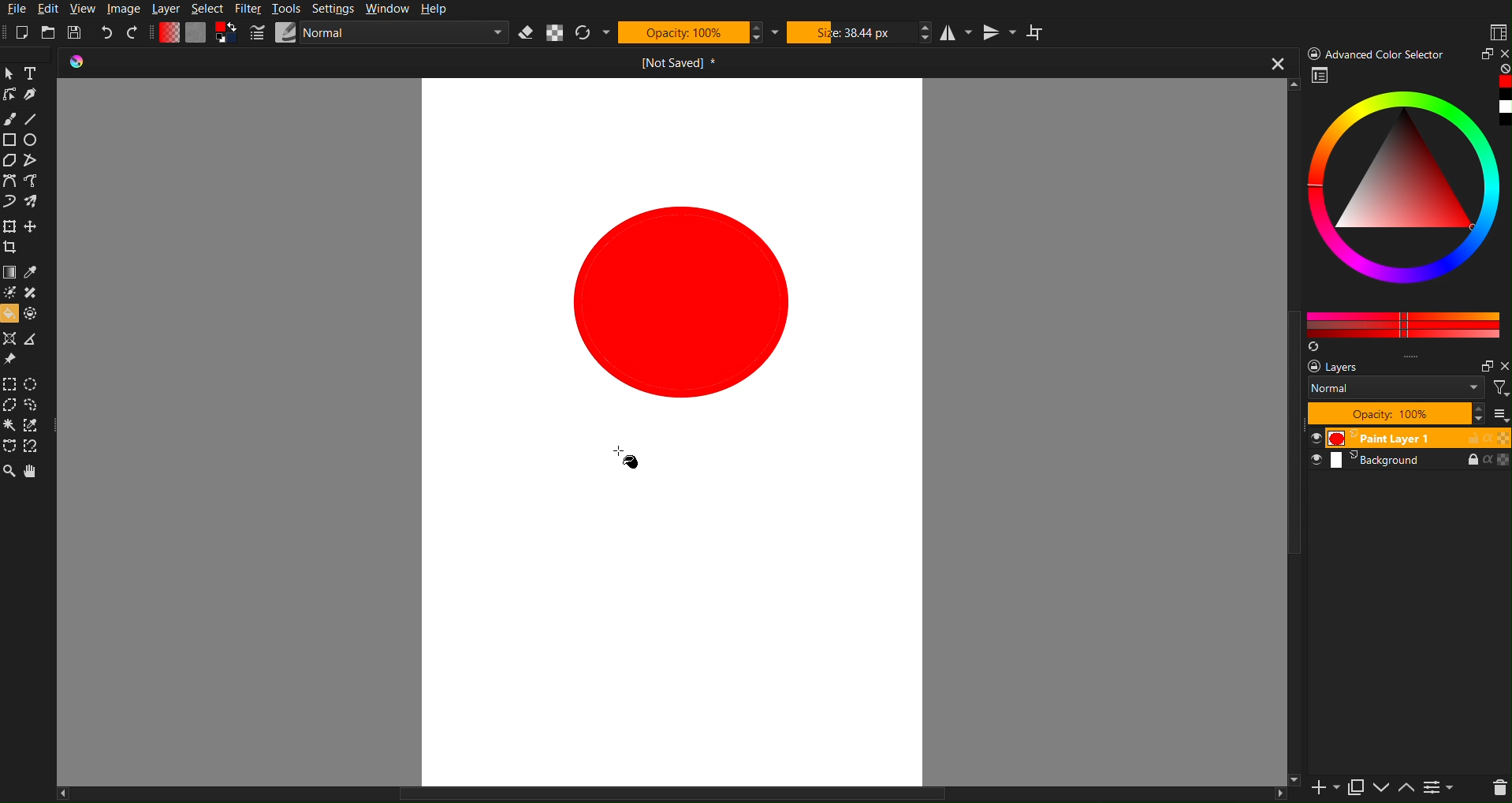 This screenshot has width=1512, height=803. What do you see at coordinates (1356, 790) in the screenshot?
I see `Copy` at bounding box center [1356, 790].